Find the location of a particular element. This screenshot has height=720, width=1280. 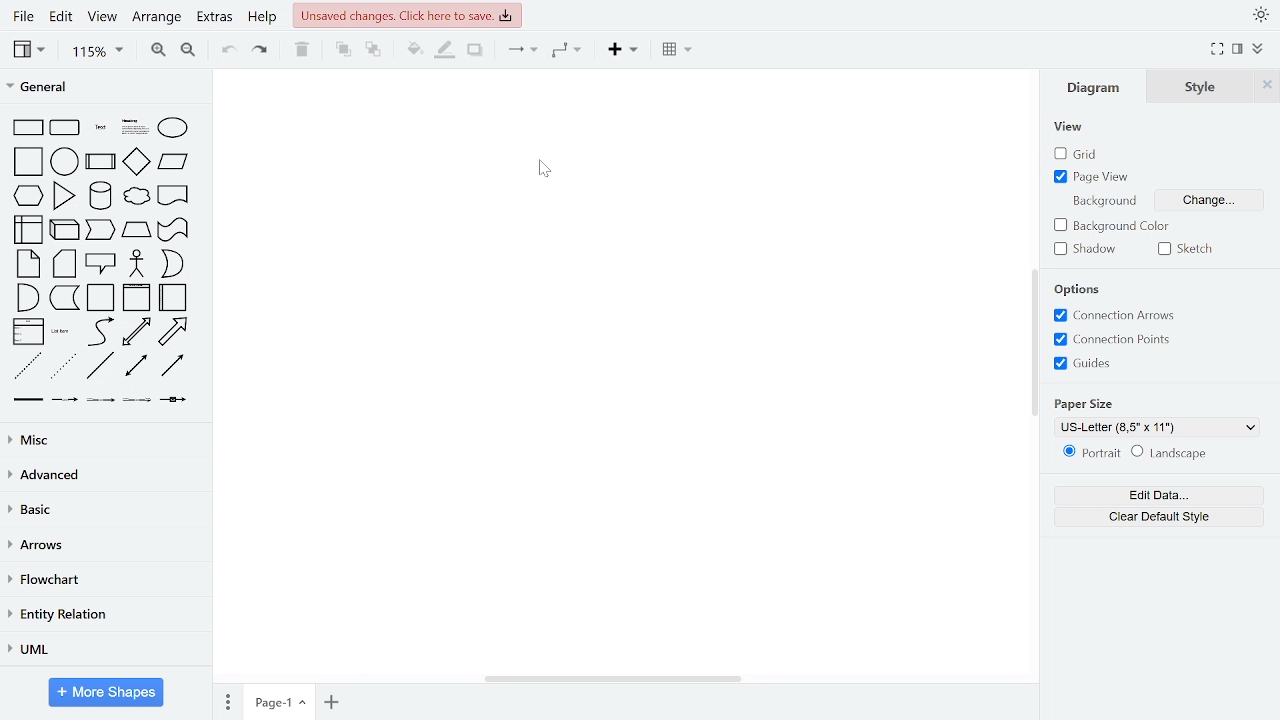

link is located at coordinates (29, 399).